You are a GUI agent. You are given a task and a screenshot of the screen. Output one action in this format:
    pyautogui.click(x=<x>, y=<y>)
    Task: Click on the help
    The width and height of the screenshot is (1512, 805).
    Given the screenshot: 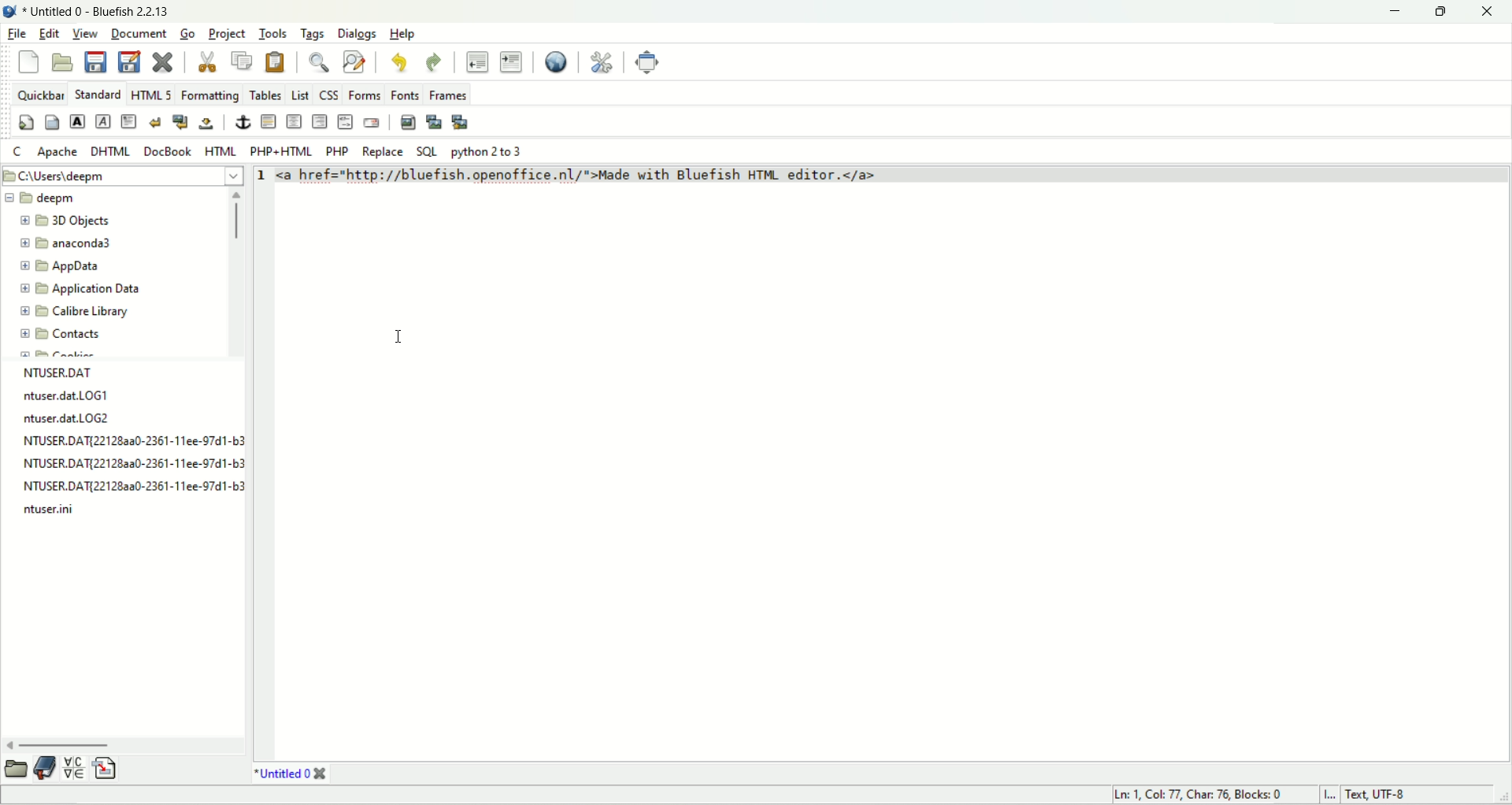 What is the action you would take?
    pyautogui.click(x=406, y=35)
    